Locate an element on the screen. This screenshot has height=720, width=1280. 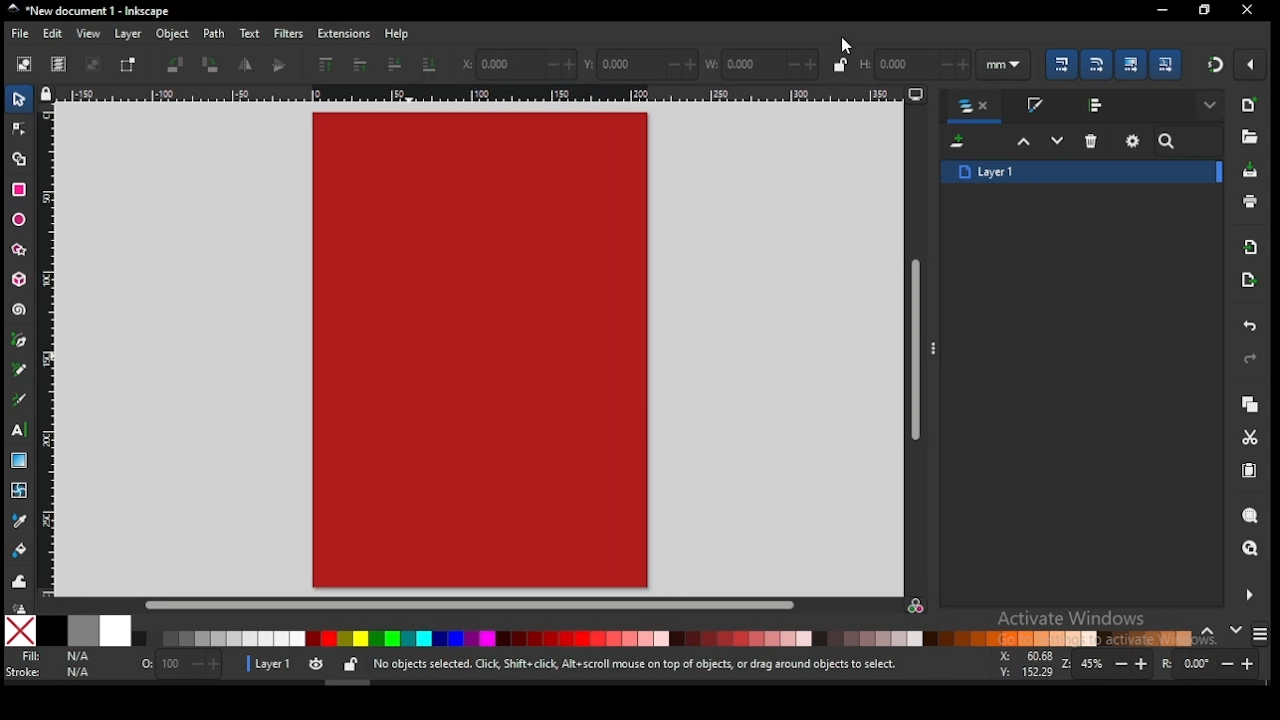
extensions is located at coordinates (344, 34).